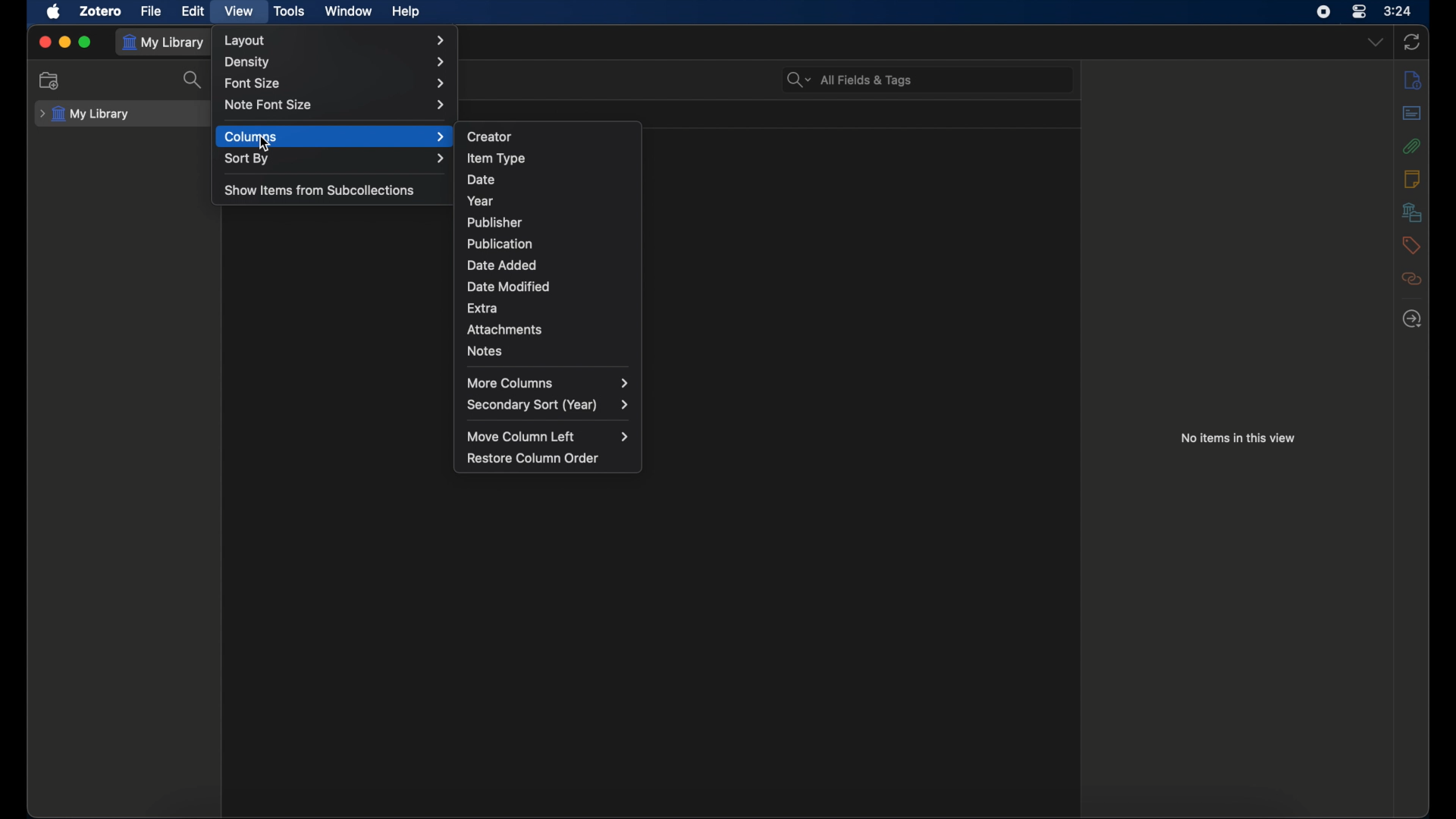  Describe the element at coordinates (405, 12) in the screenshot. I see `help` at that location.